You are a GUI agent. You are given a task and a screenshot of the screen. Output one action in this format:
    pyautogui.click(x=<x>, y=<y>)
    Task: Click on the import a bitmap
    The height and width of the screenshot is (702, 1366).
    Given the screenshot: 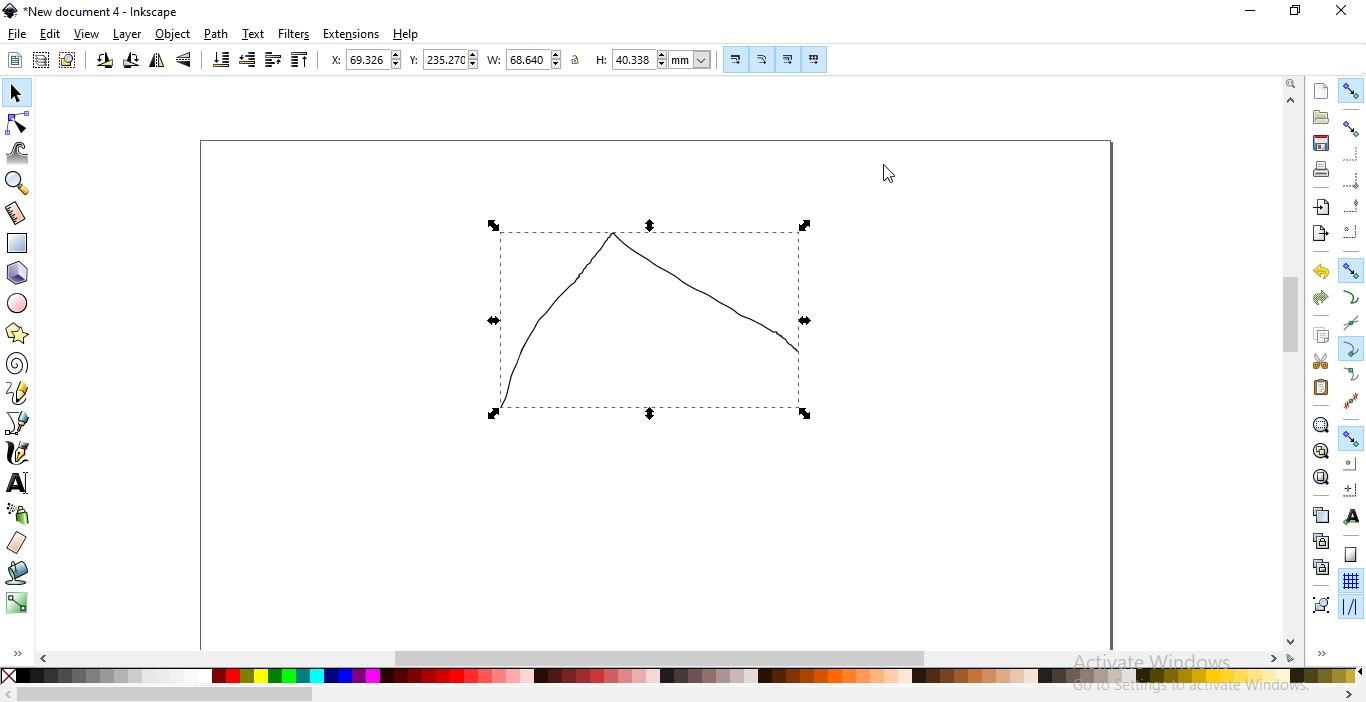 What is the action you would take?
    pyautogui.click(x=1322, y=207)
    